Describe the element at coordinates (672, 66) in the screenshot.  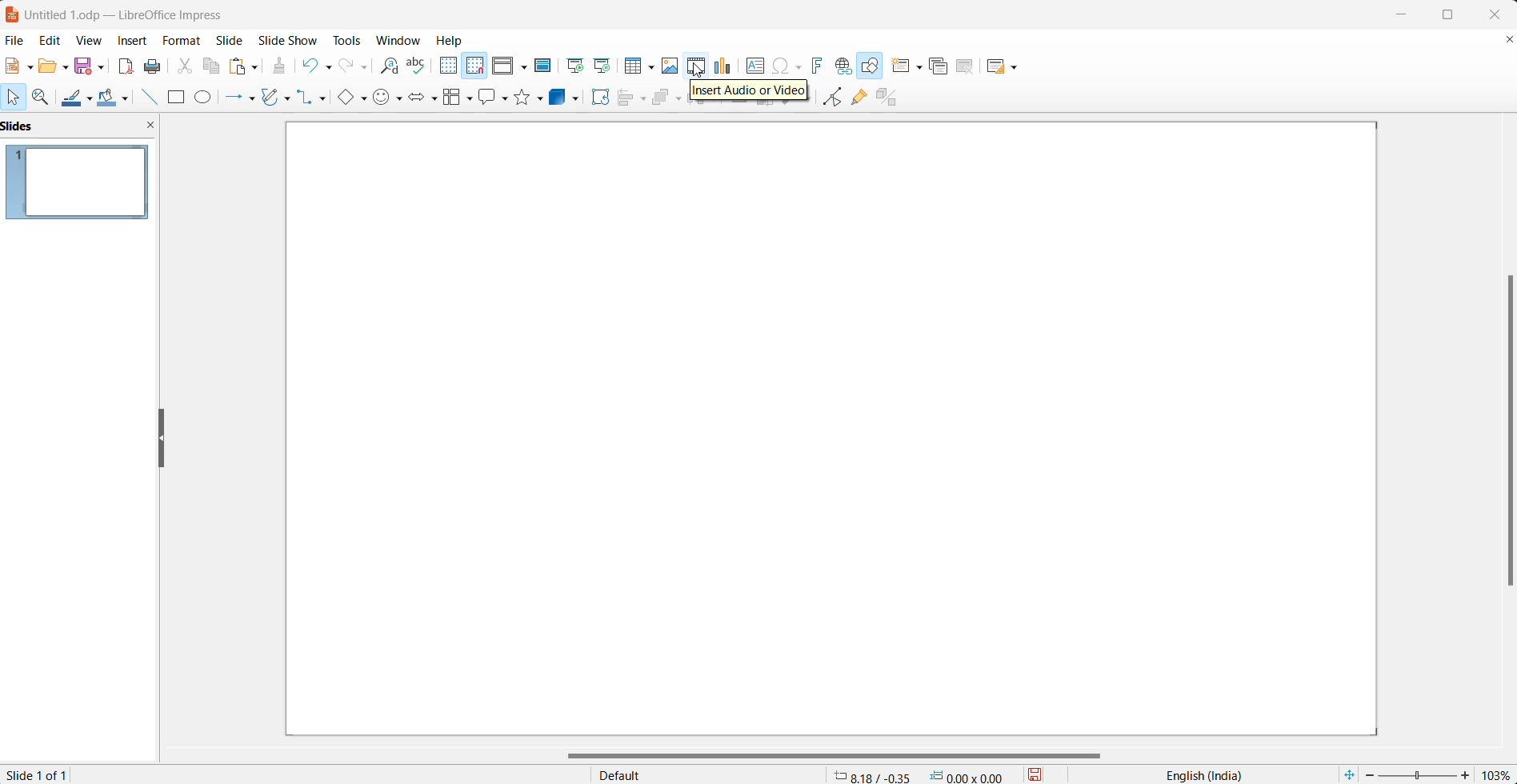
I see `insert image` at that location.